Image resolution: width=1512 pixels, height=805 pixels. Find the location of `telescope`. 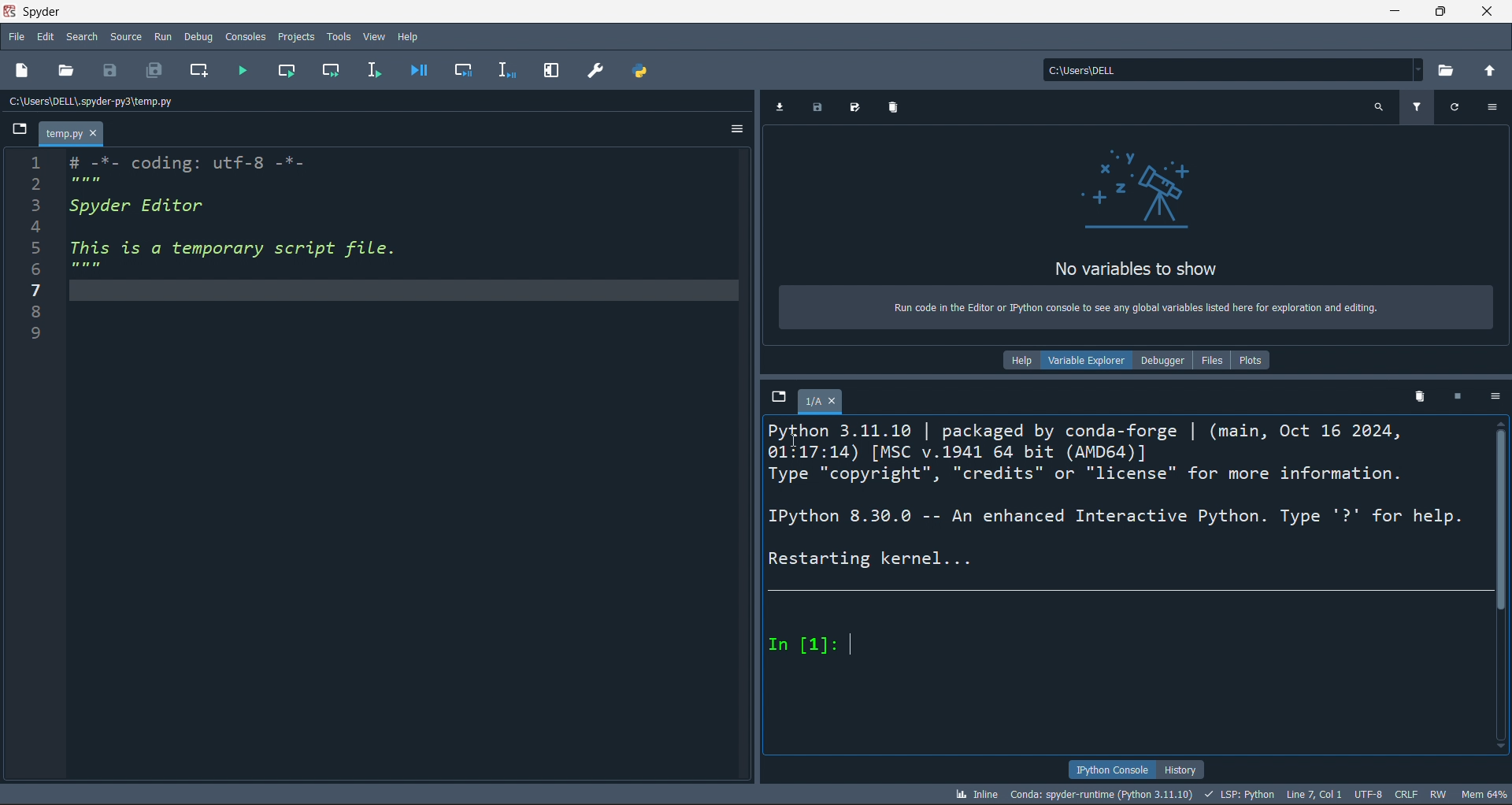

telescope is located at coordinates (1140, 187).